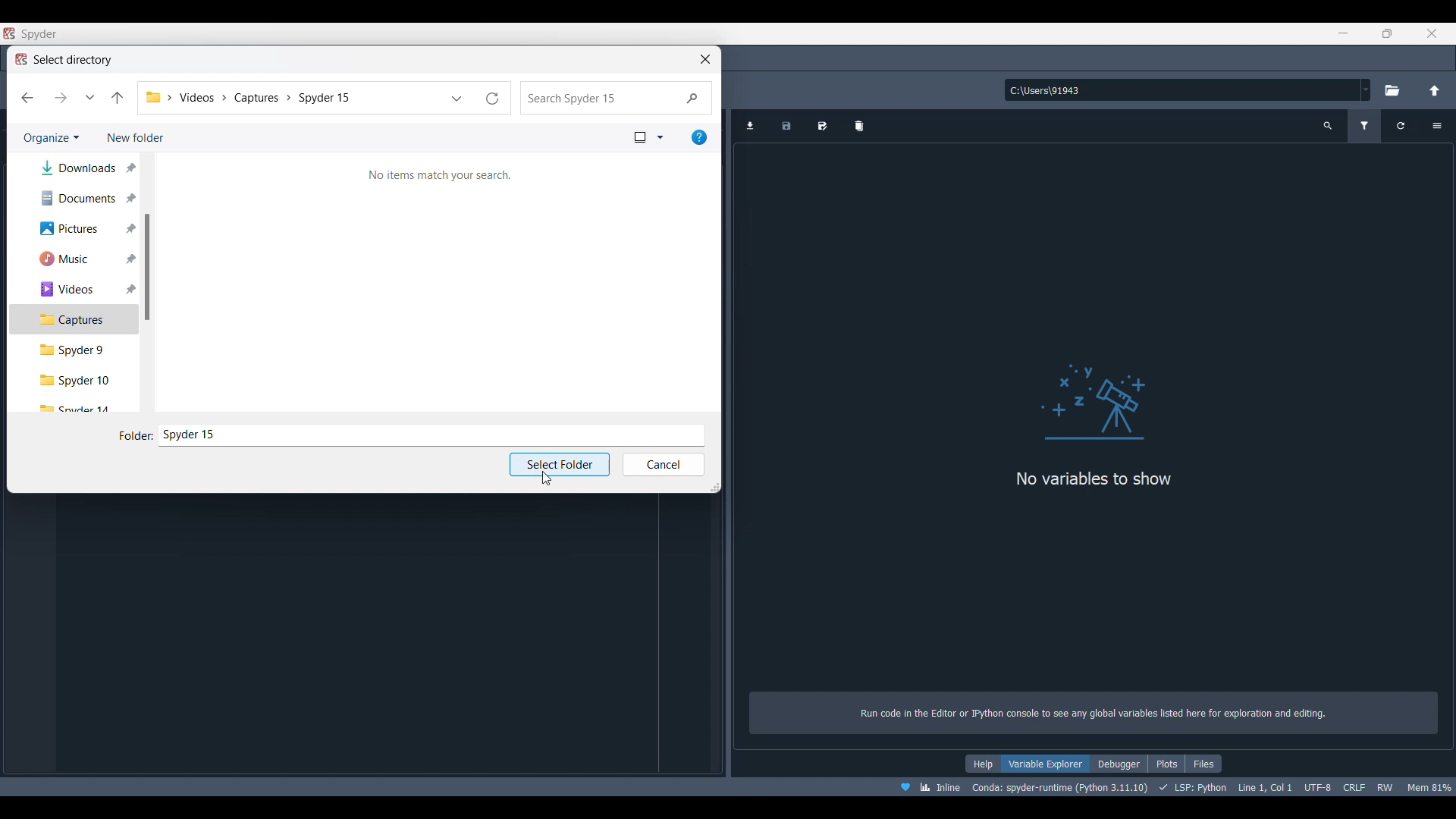  Describe the element at coordinates (117, 98) in the screenshot. I see `Go to previous folder in pathway` at that location.